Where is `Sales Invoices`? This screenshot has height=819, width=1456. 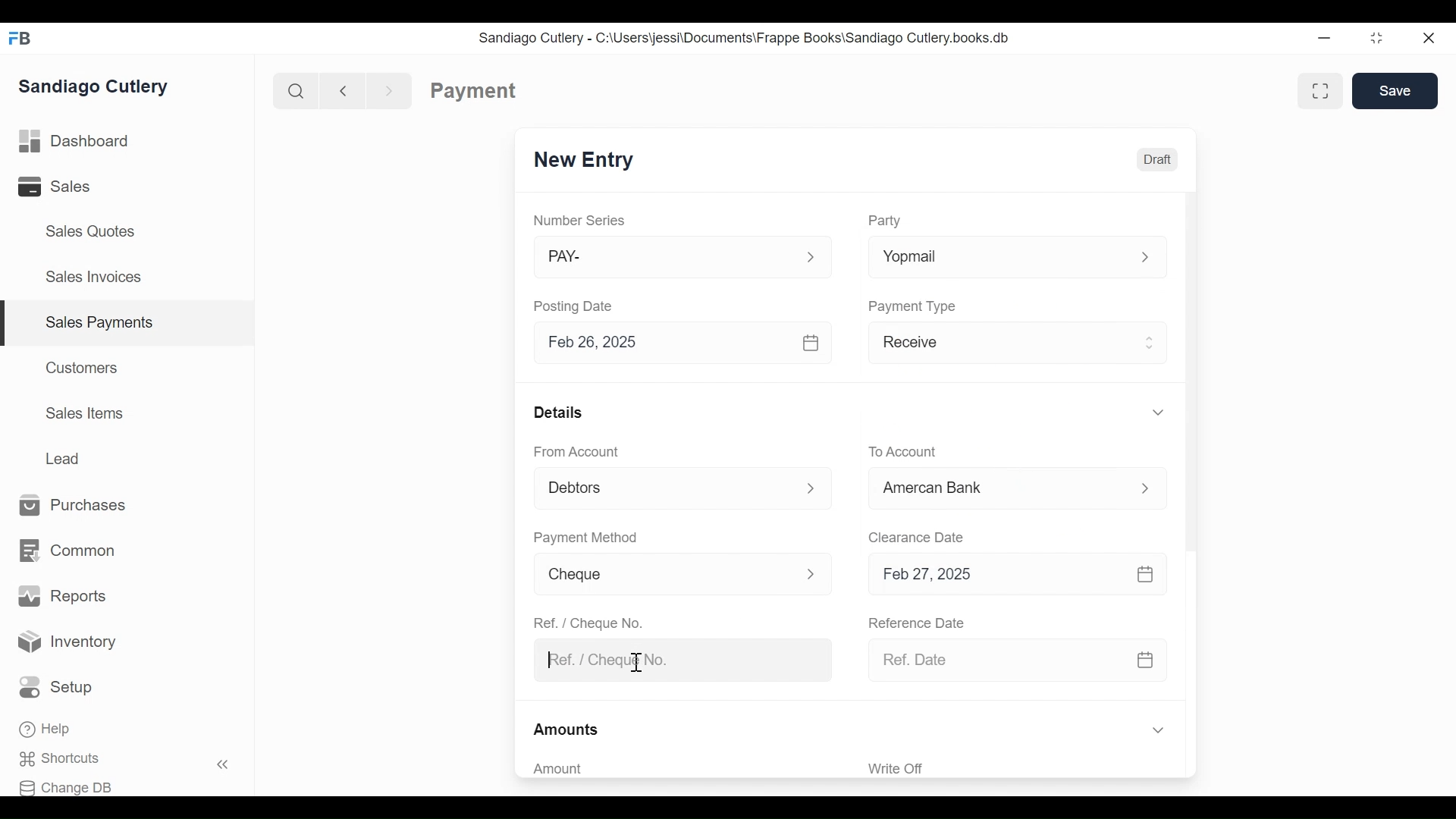
Sales Invoices is located at coordinates (93, 278).